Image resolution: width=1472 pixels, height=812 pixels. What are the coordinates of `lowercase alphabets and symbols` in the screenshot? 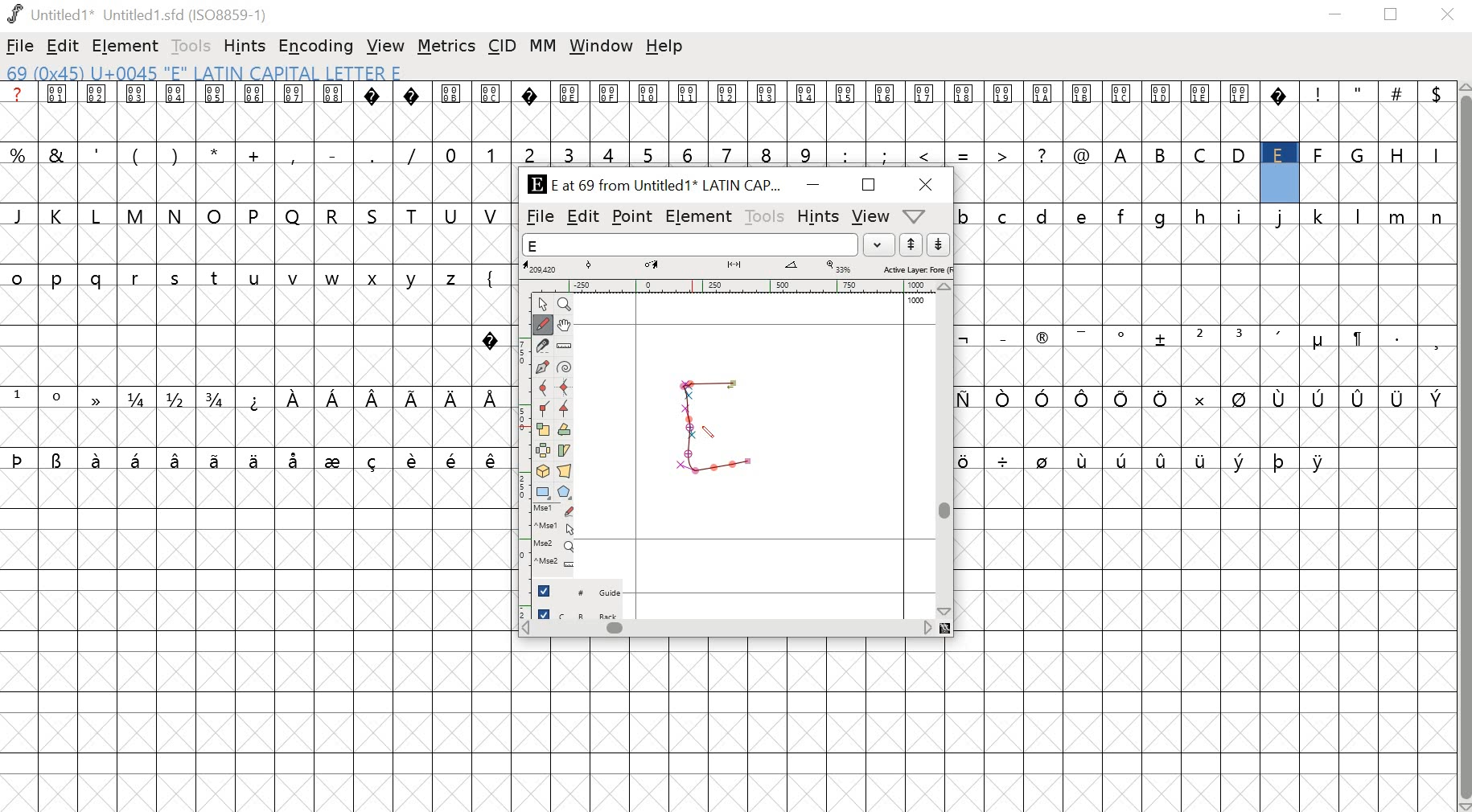 It's located at (253, 278).